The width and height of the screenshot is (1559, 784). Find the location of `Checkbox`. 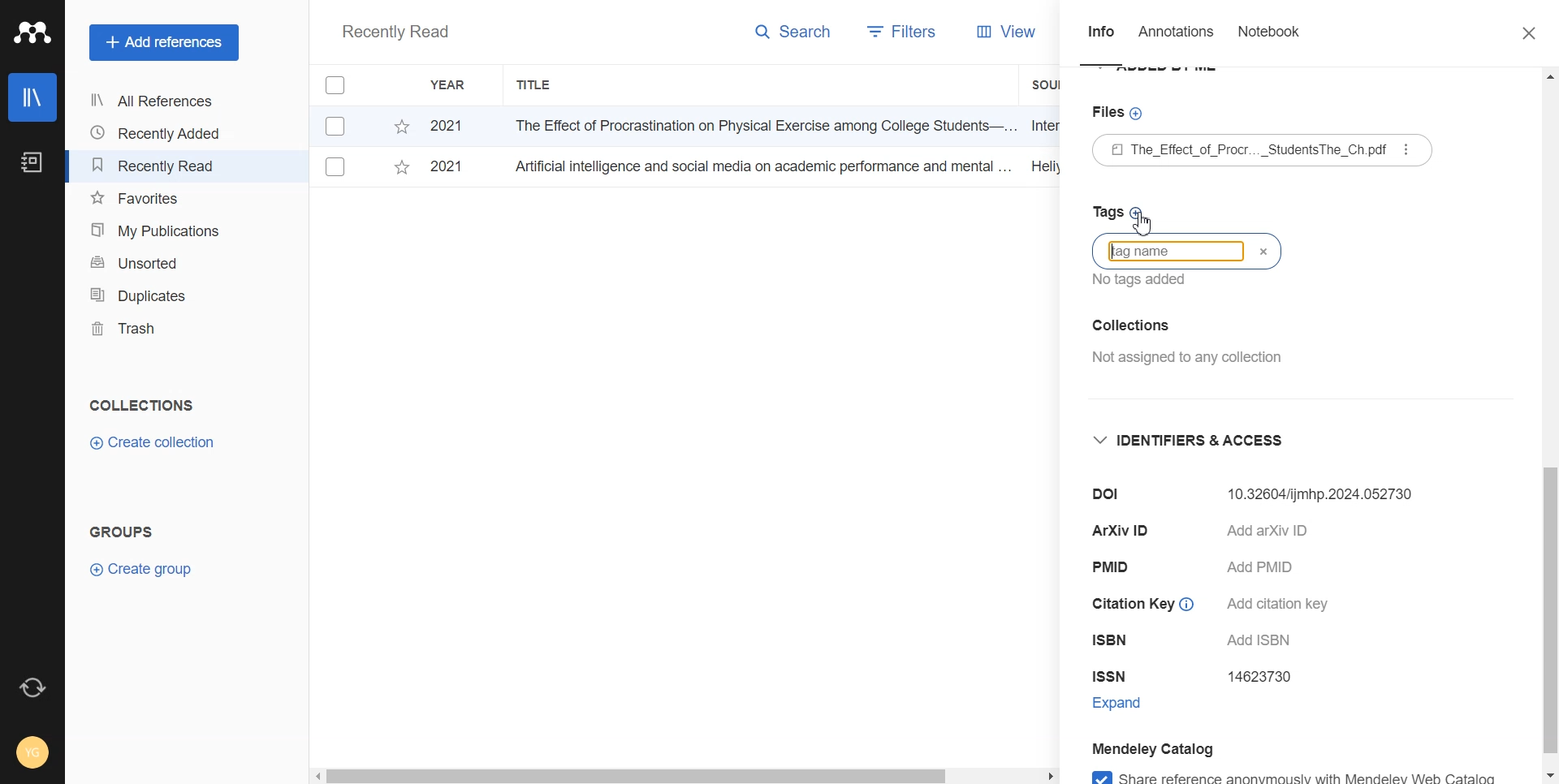

Checkbox is located at coordinates (336, 167).